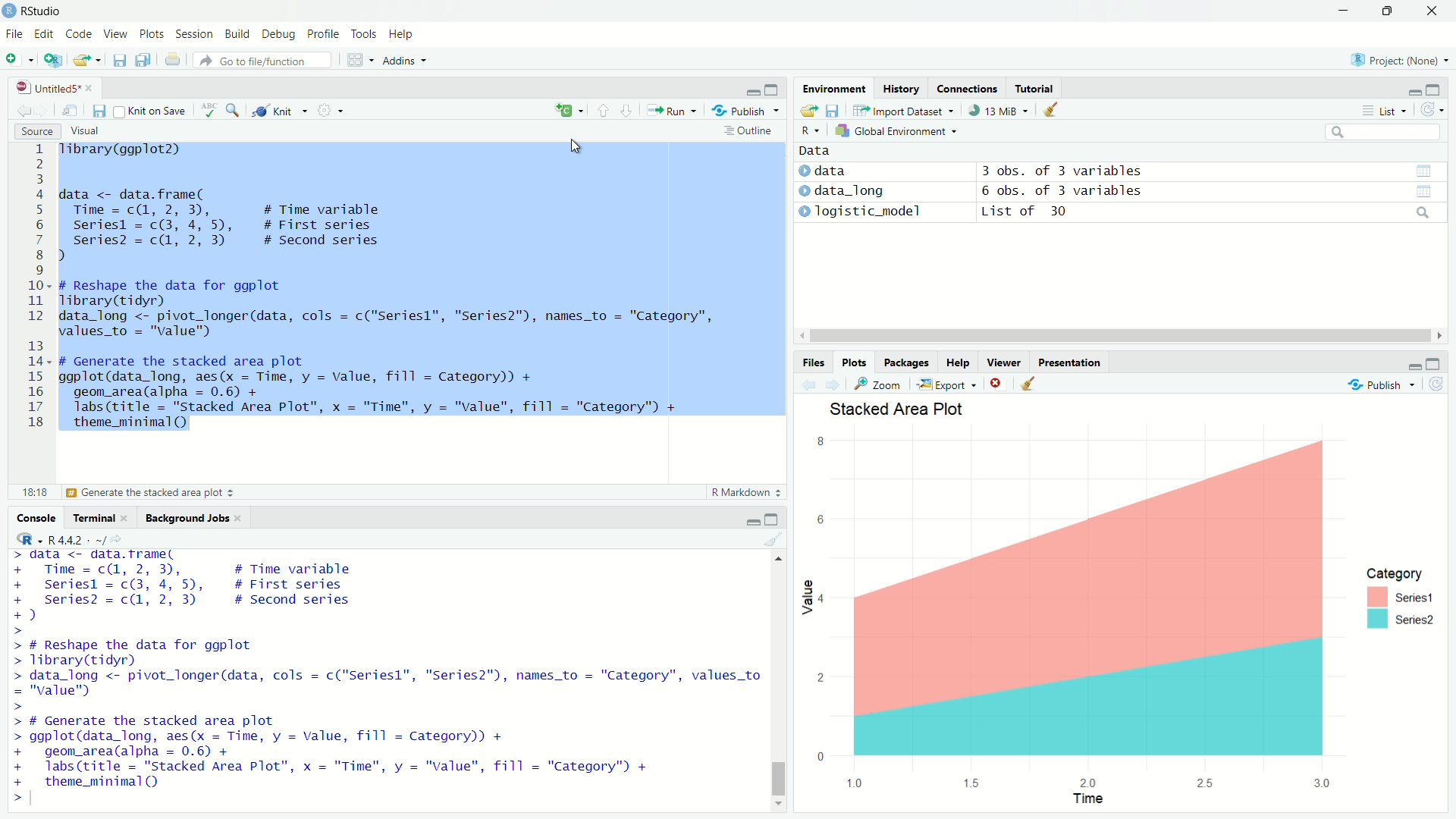 Image resolution: width=1456 pixels, height=819 pixels. I want to click on scroll bar, so click(1117, 337).